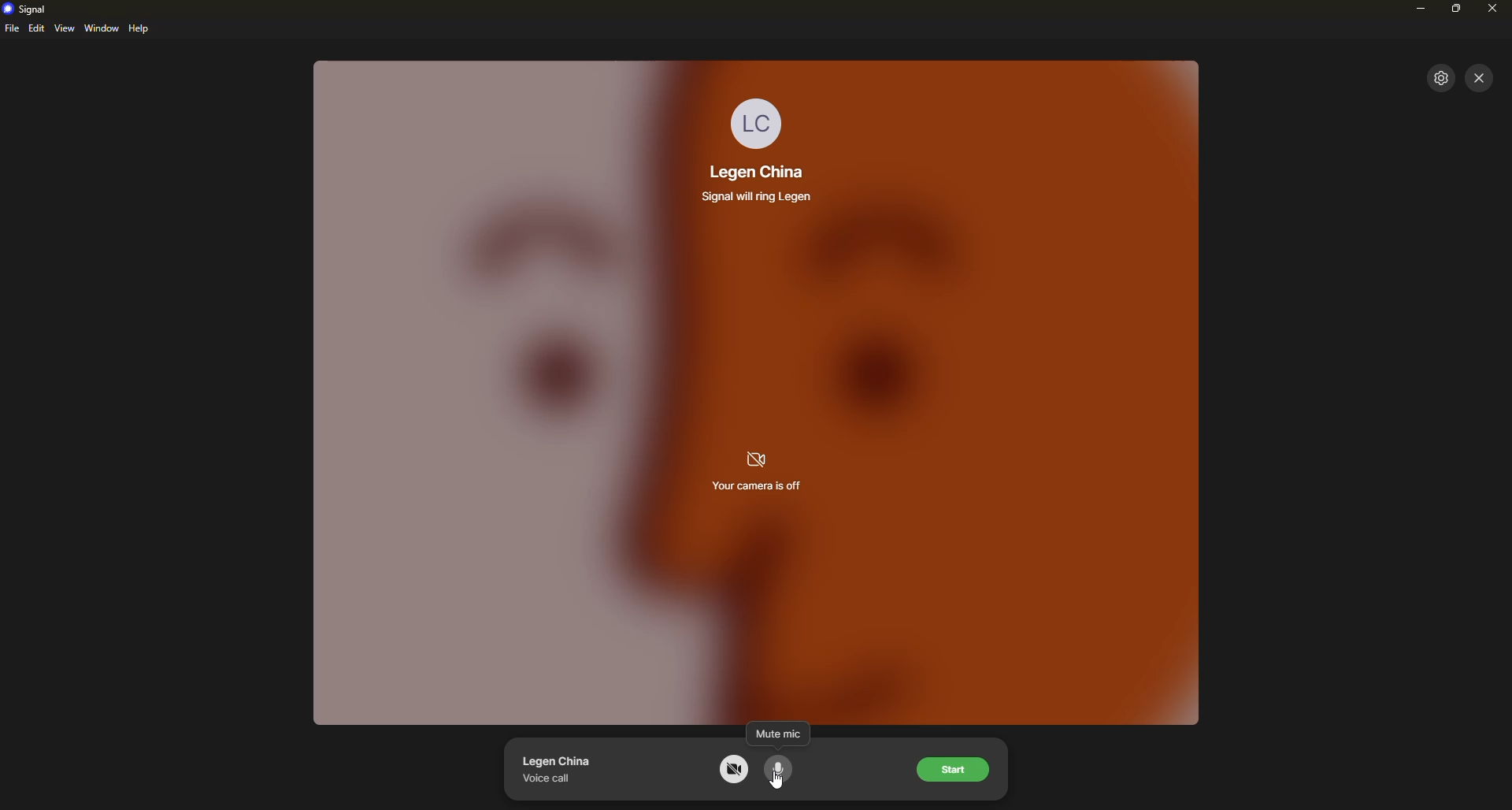 The height and width of the screenshot is (810, 1512). I want to click on close, so click(1480, 77).